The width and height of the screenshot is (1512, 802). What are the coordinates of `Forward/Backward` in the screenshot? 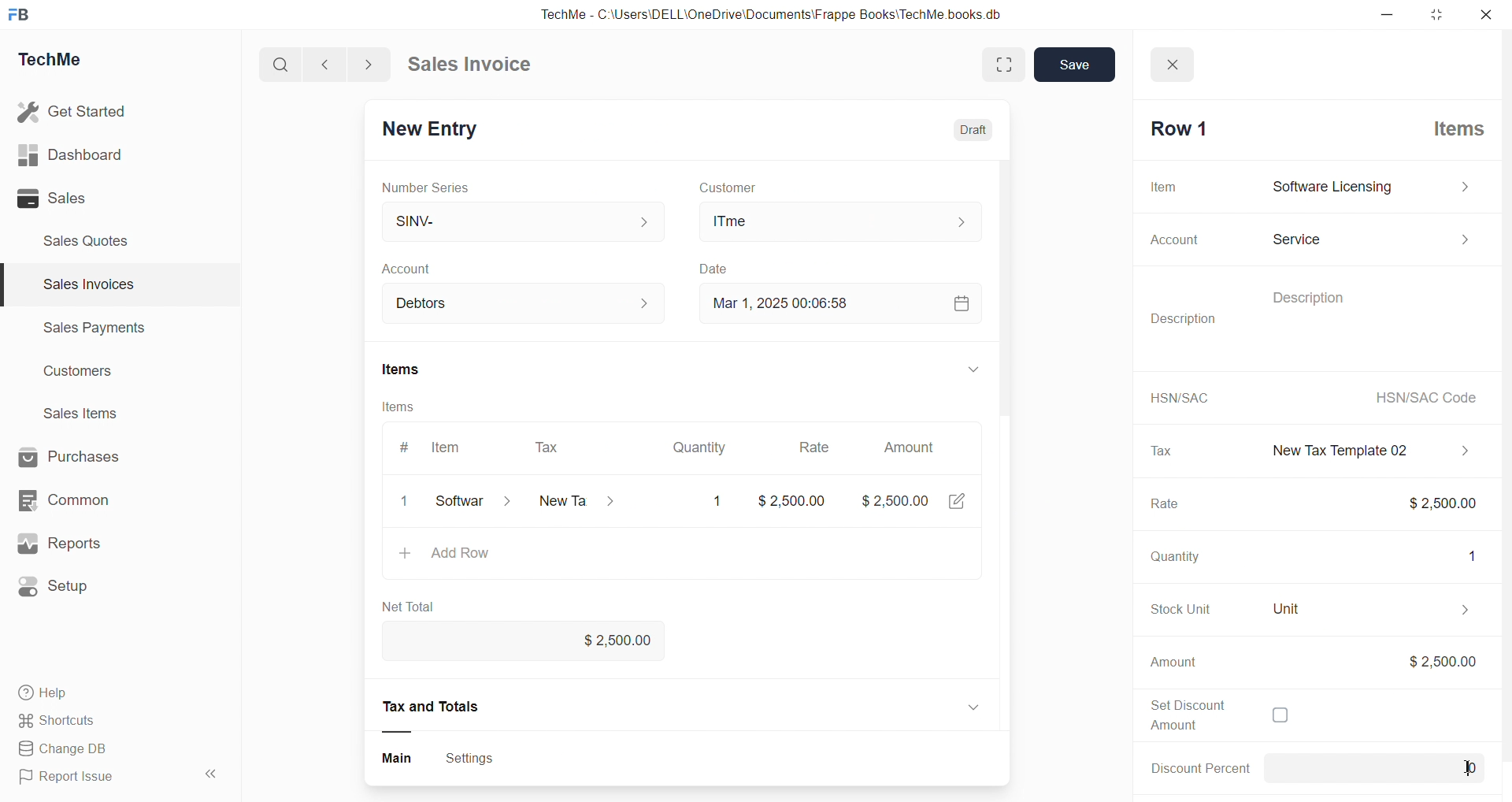 It's located at (348, 63).